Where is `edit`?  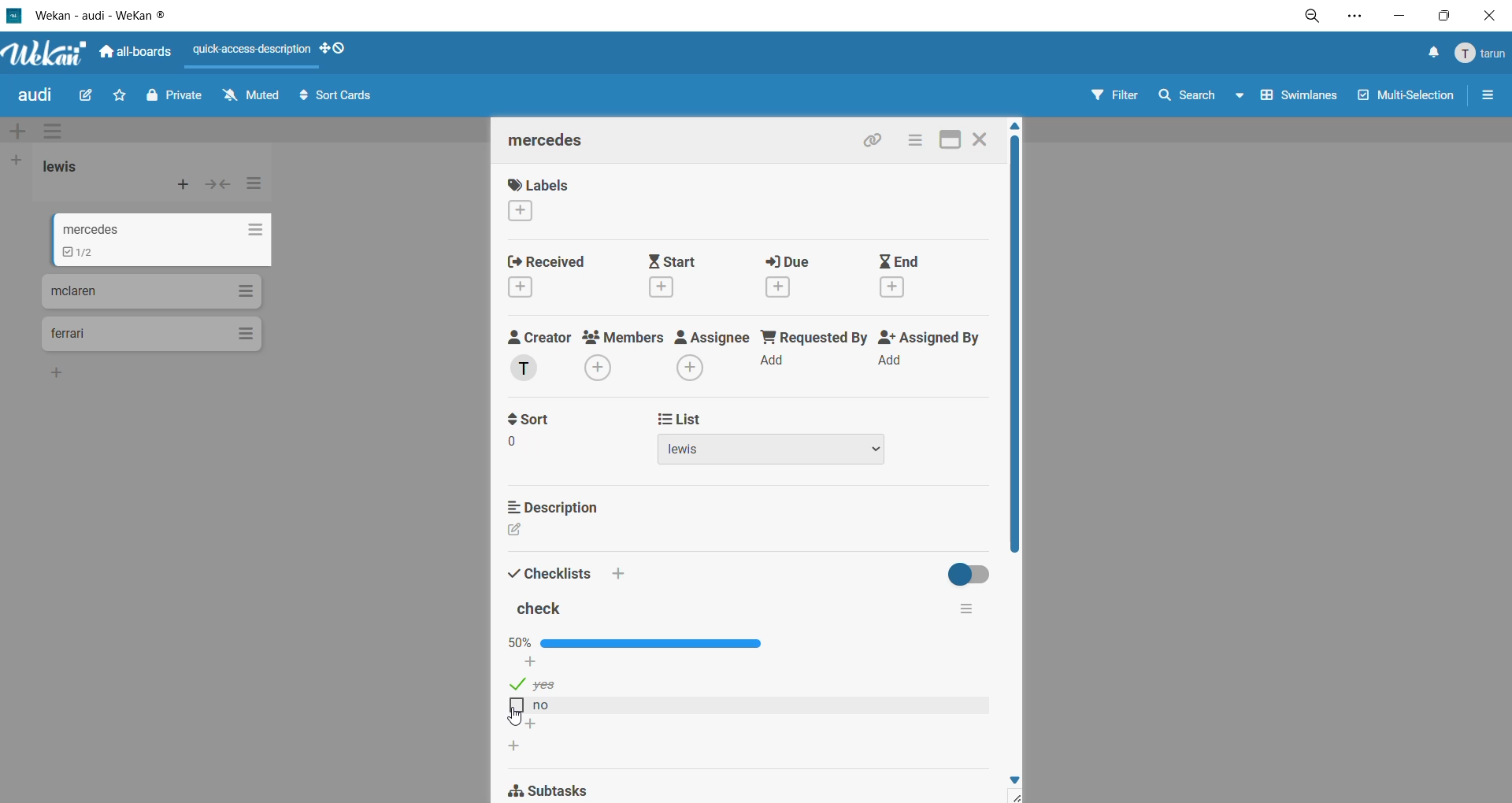 edit is located at coordinates (522, 532).